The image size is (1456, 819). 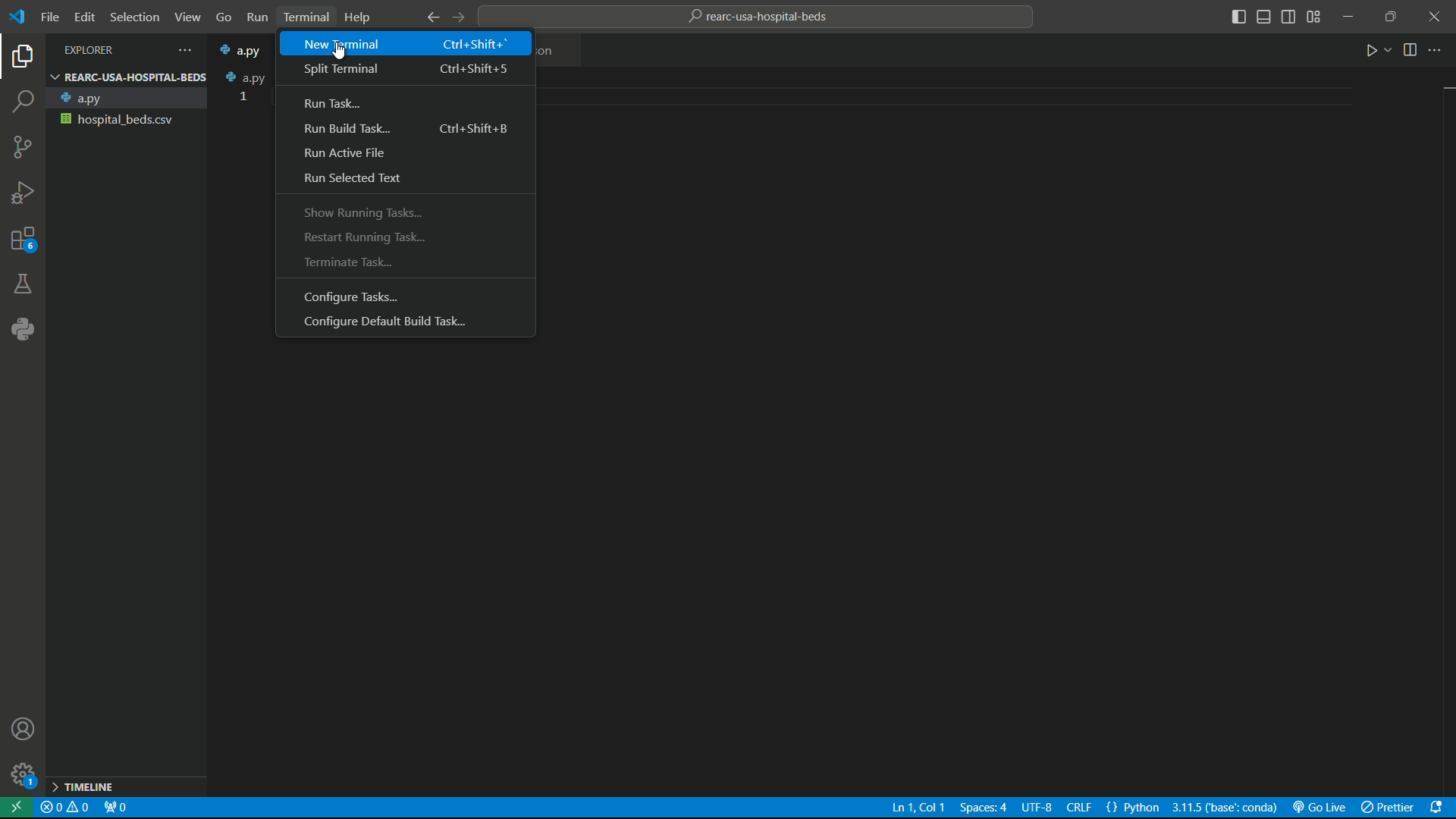 What do you see at coordinates (1321, 808) in the screenshot?
I see `go live extension` at bounding box center [1321, 808].